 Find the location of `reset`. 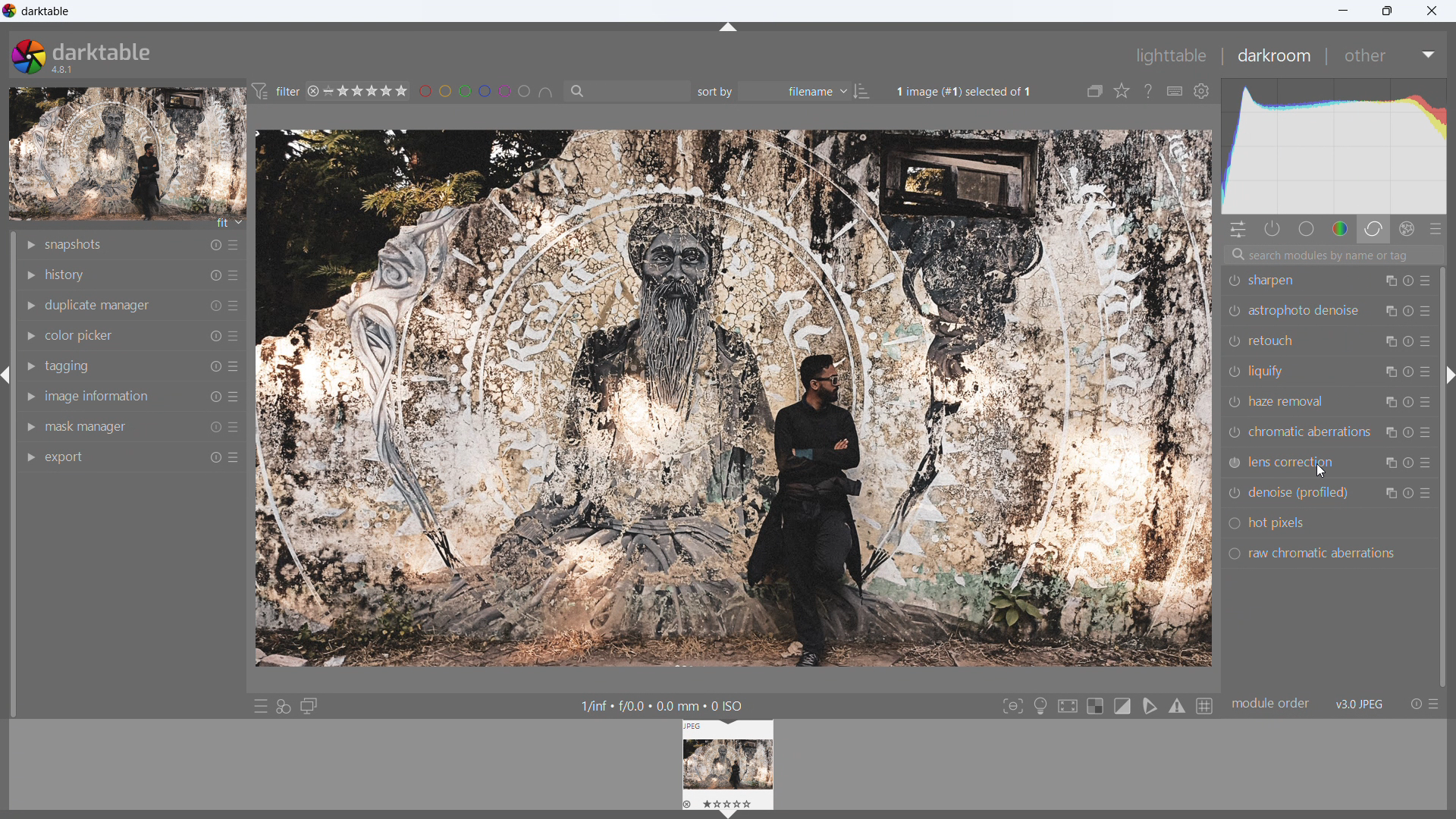

reset is located at coordinates (215, 429).